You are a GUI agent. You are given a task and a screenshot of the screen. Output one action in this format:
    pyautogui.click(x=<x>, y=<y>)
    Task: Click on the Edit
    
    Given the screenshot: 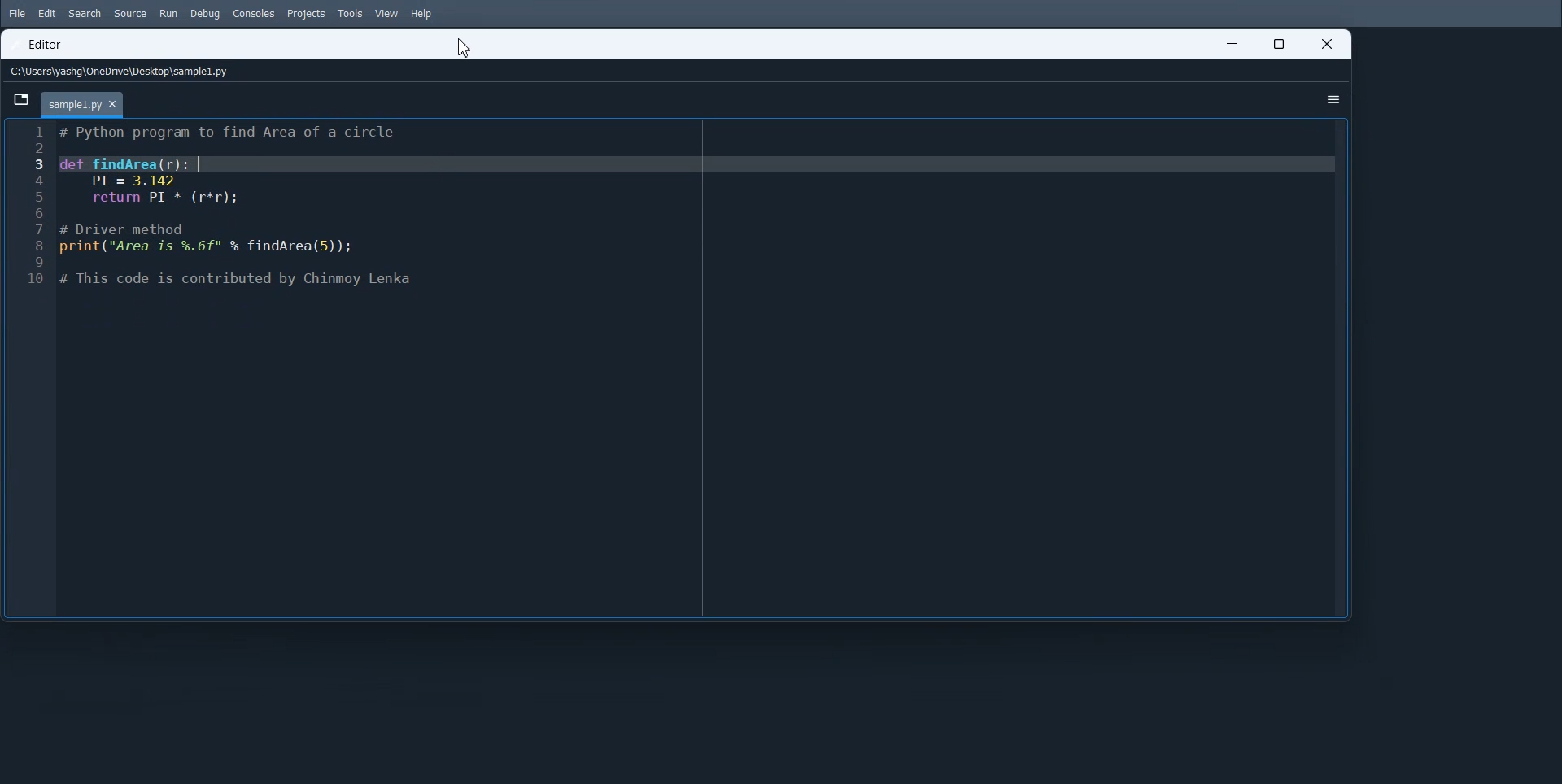 What is the action you would take?
    pyautogui.click(x=46, y=14)
    